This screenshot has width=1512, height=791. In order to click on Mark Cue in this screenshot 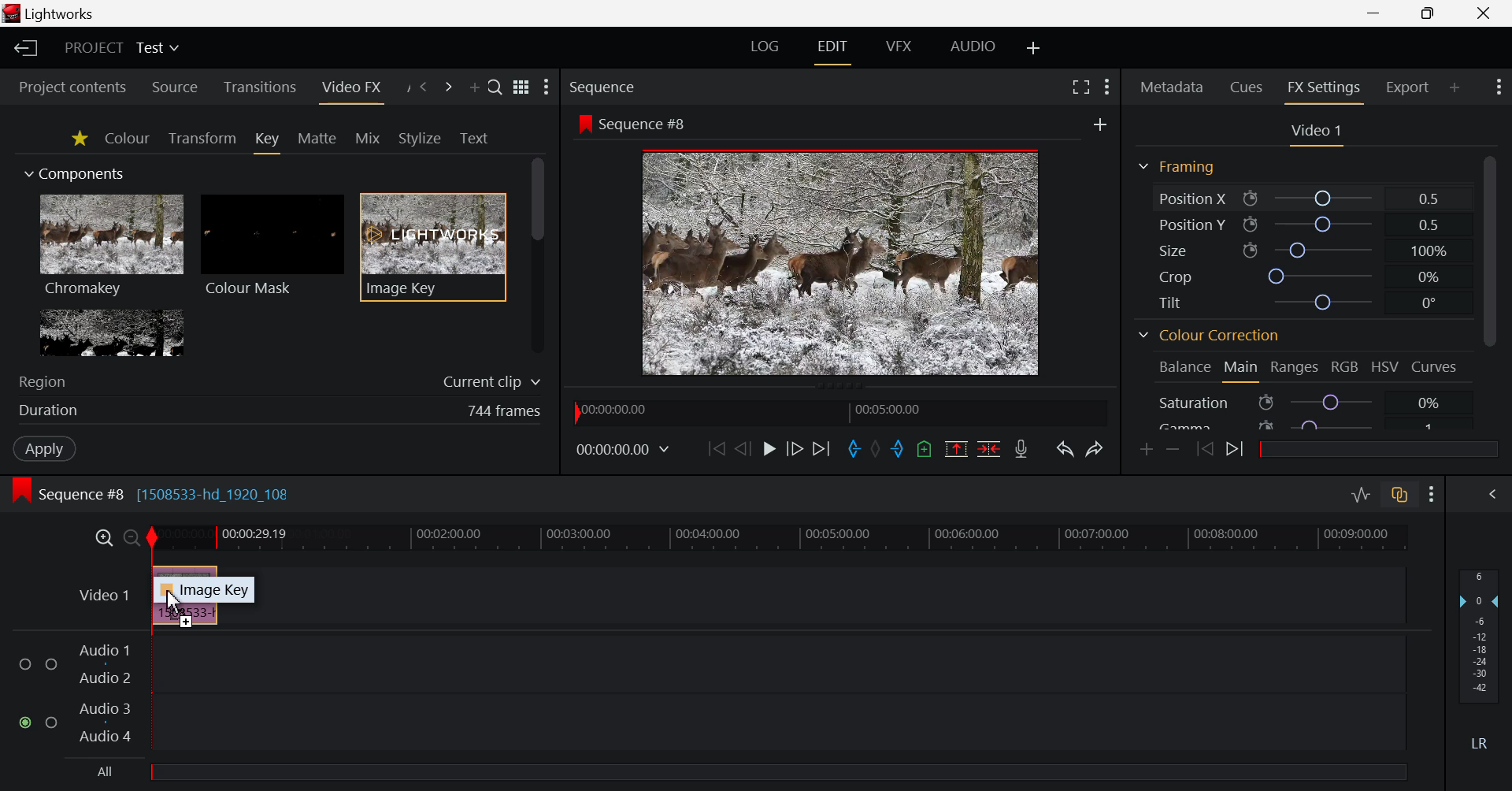, I will do `click(925, 449)`.